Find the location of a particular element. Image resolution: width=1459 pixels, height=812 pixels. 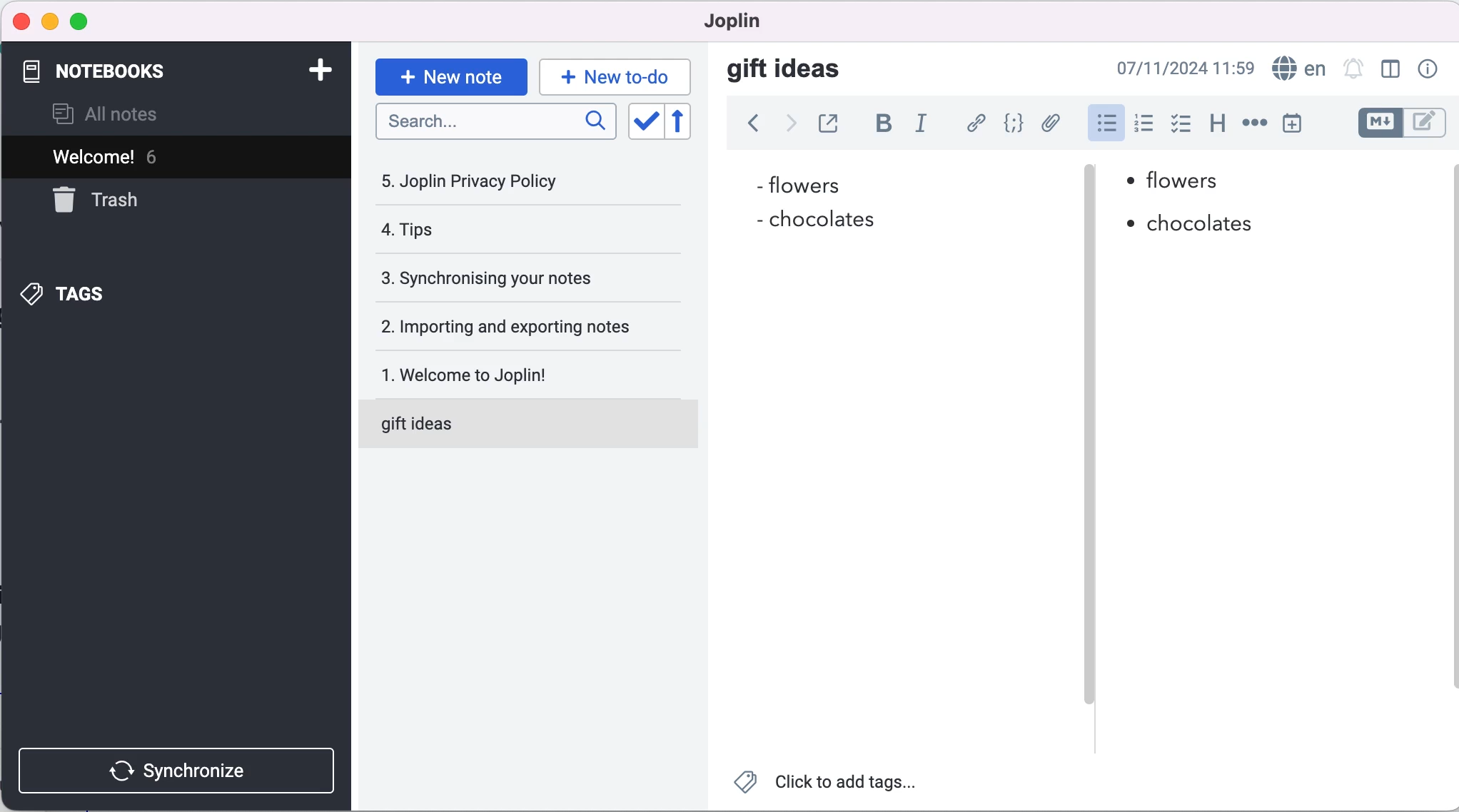

add file is located at coordinates (1052, 124).